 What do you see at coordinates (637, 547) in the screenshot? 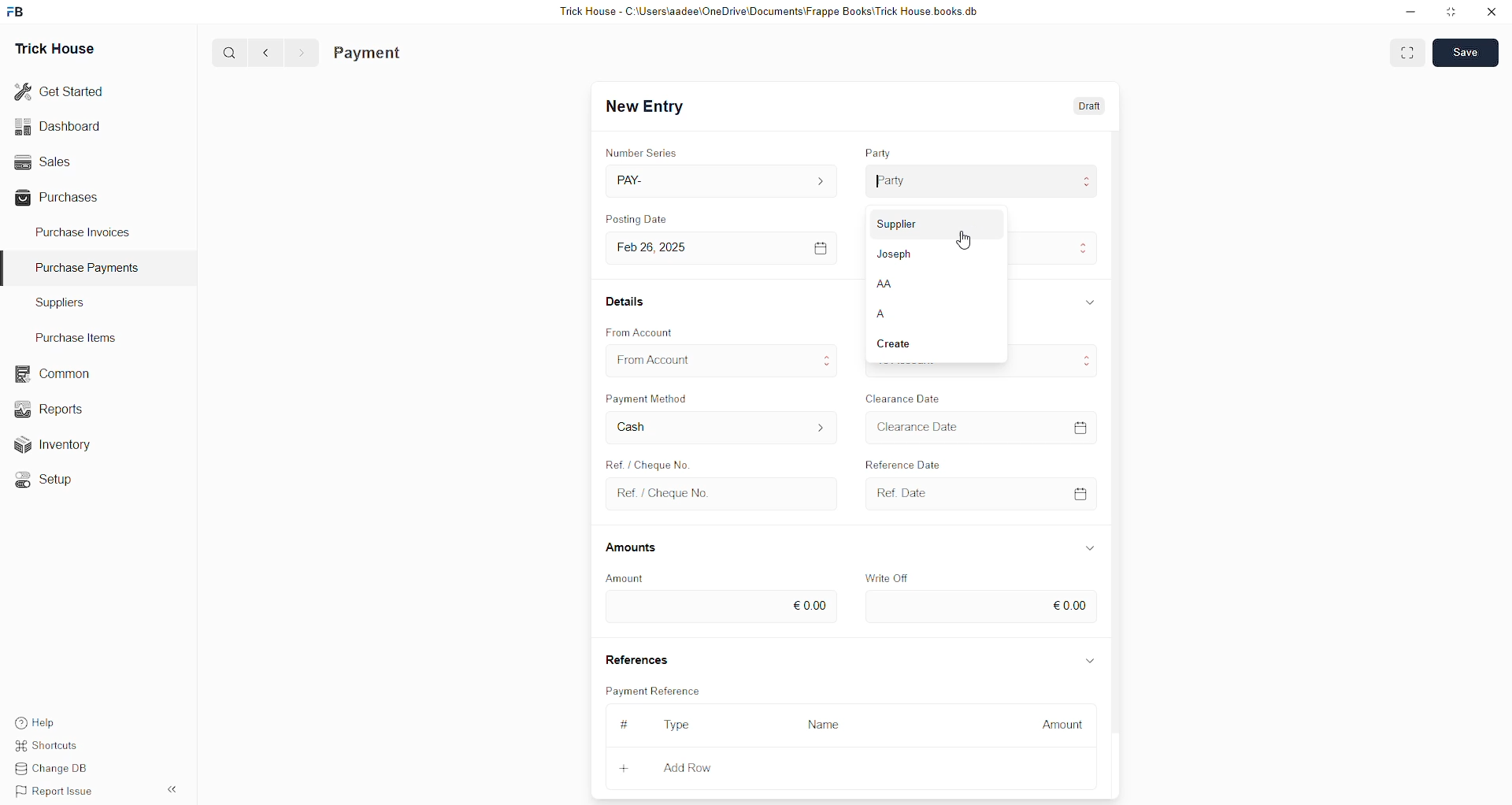
I see `Amounts` at bounding box center [637, 547].